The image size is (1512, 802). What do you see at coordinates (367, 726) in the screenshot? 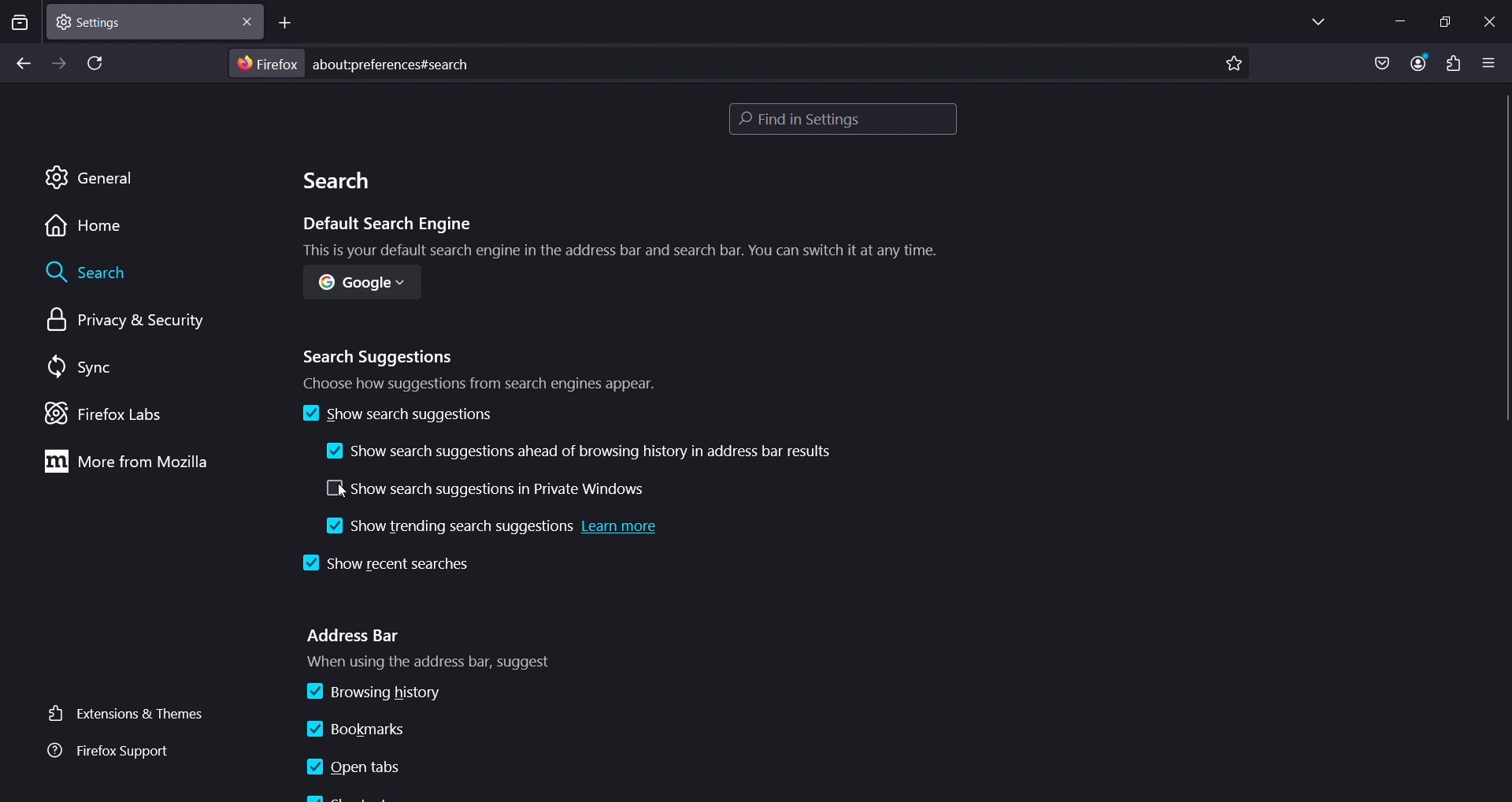
I see `bookmarks` at bounding box center [367, 726].